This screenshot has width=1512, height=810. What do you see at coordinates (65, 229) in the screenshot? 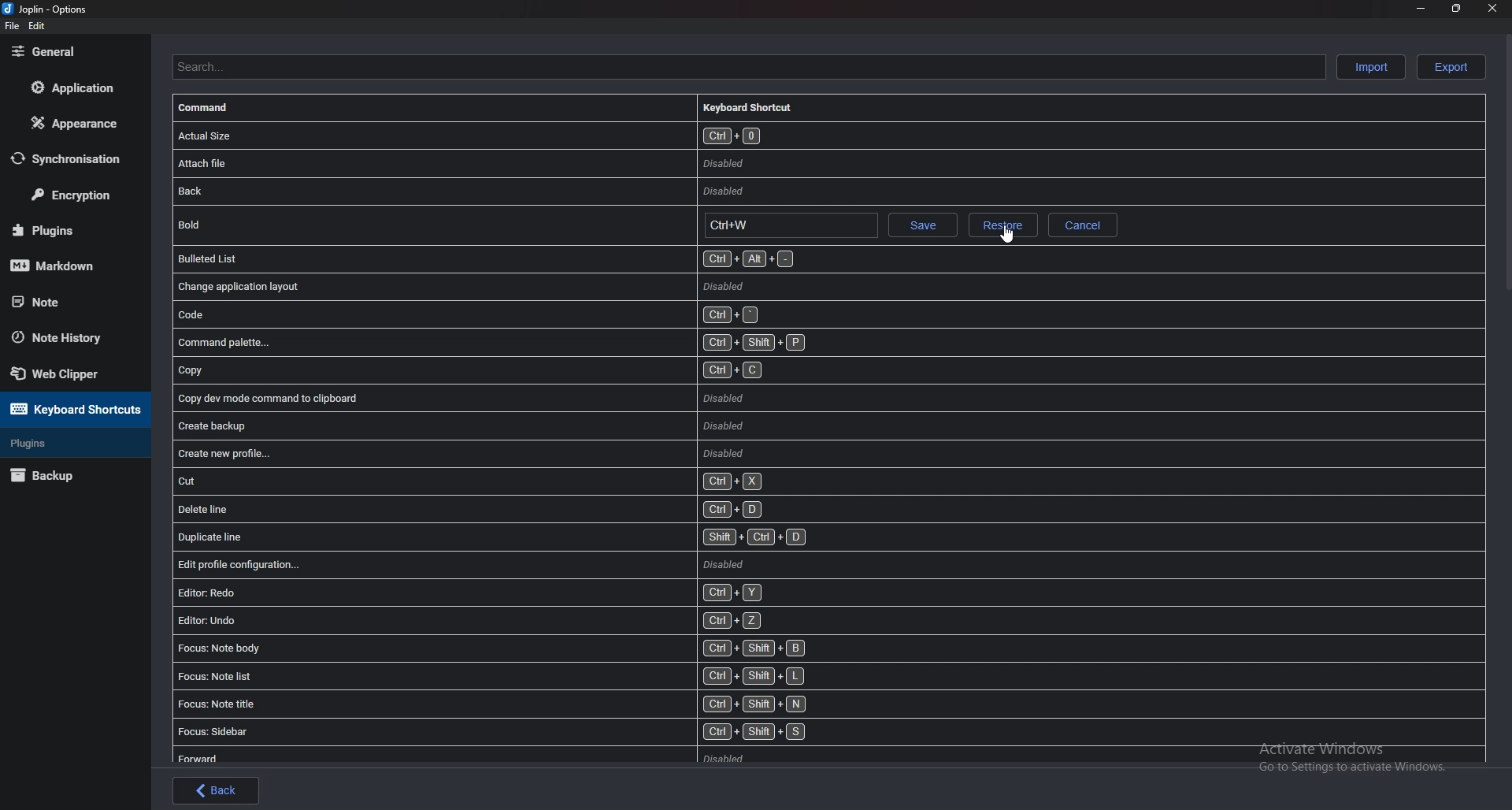
I see `Plugins` at bounding box center [65, 229].